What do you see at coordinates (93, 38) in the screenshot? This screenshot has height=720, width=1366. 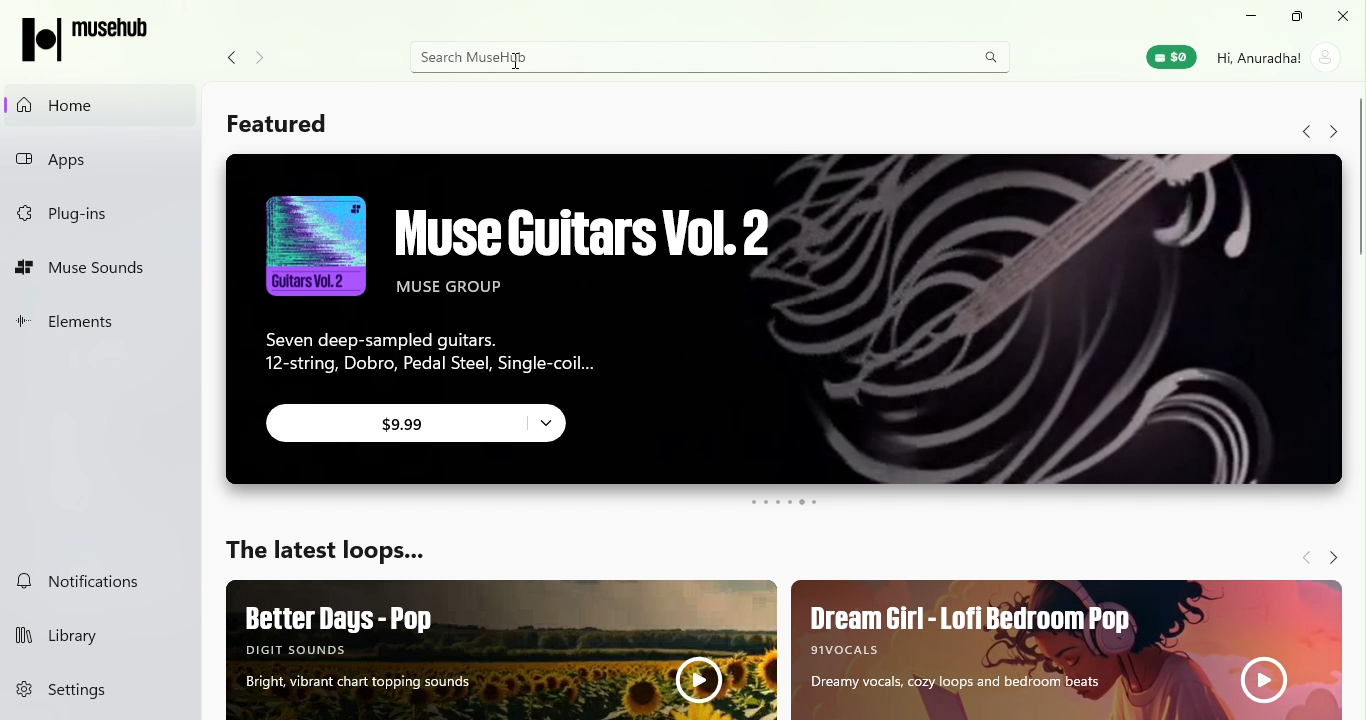 I see `MuseHub` at bounding box center [93, 38].